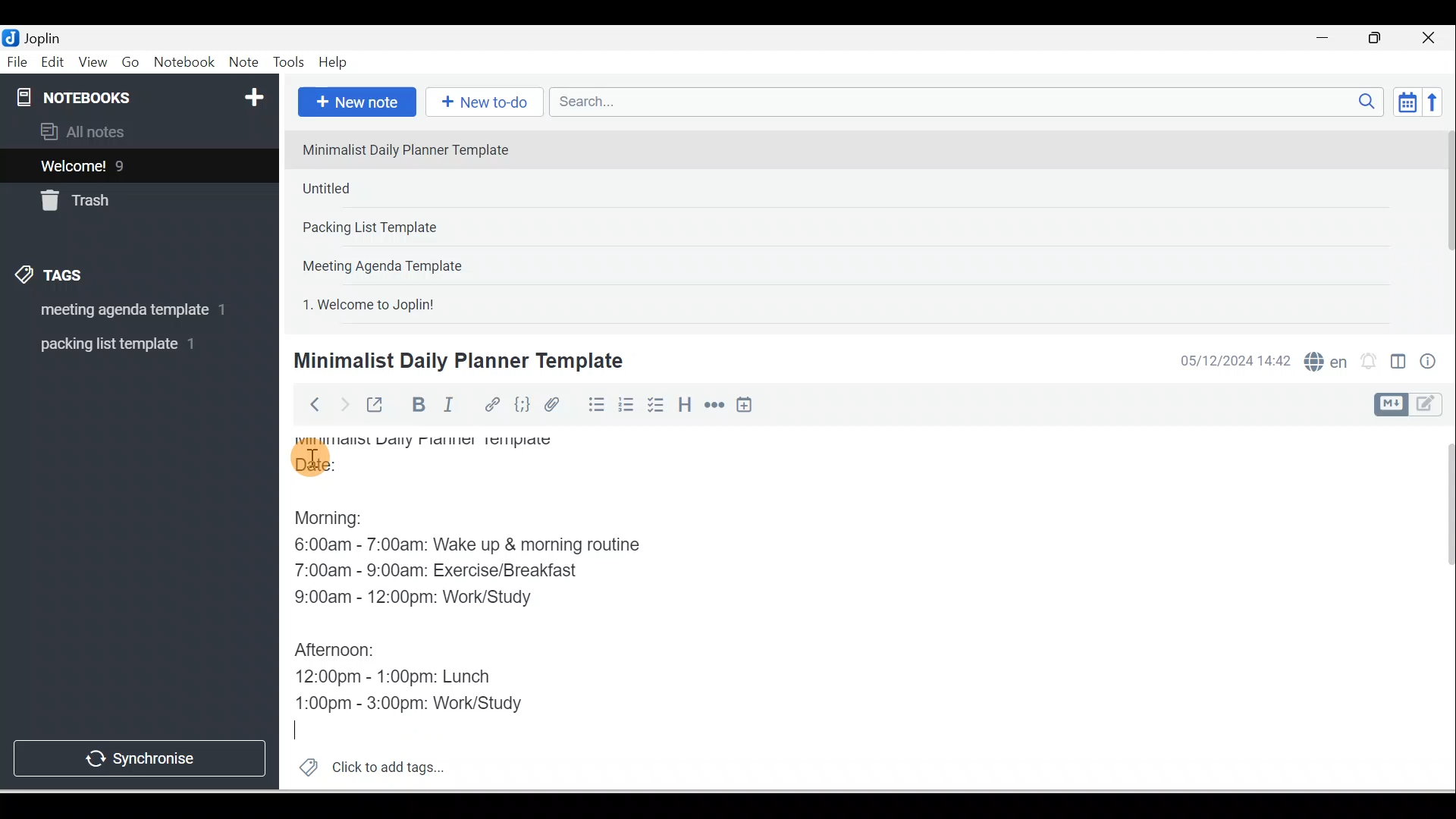  Describe the element at coordinates (413, 675) in the screenshot. I see `12:00pm - 1:00pm: Lunch` at that location.